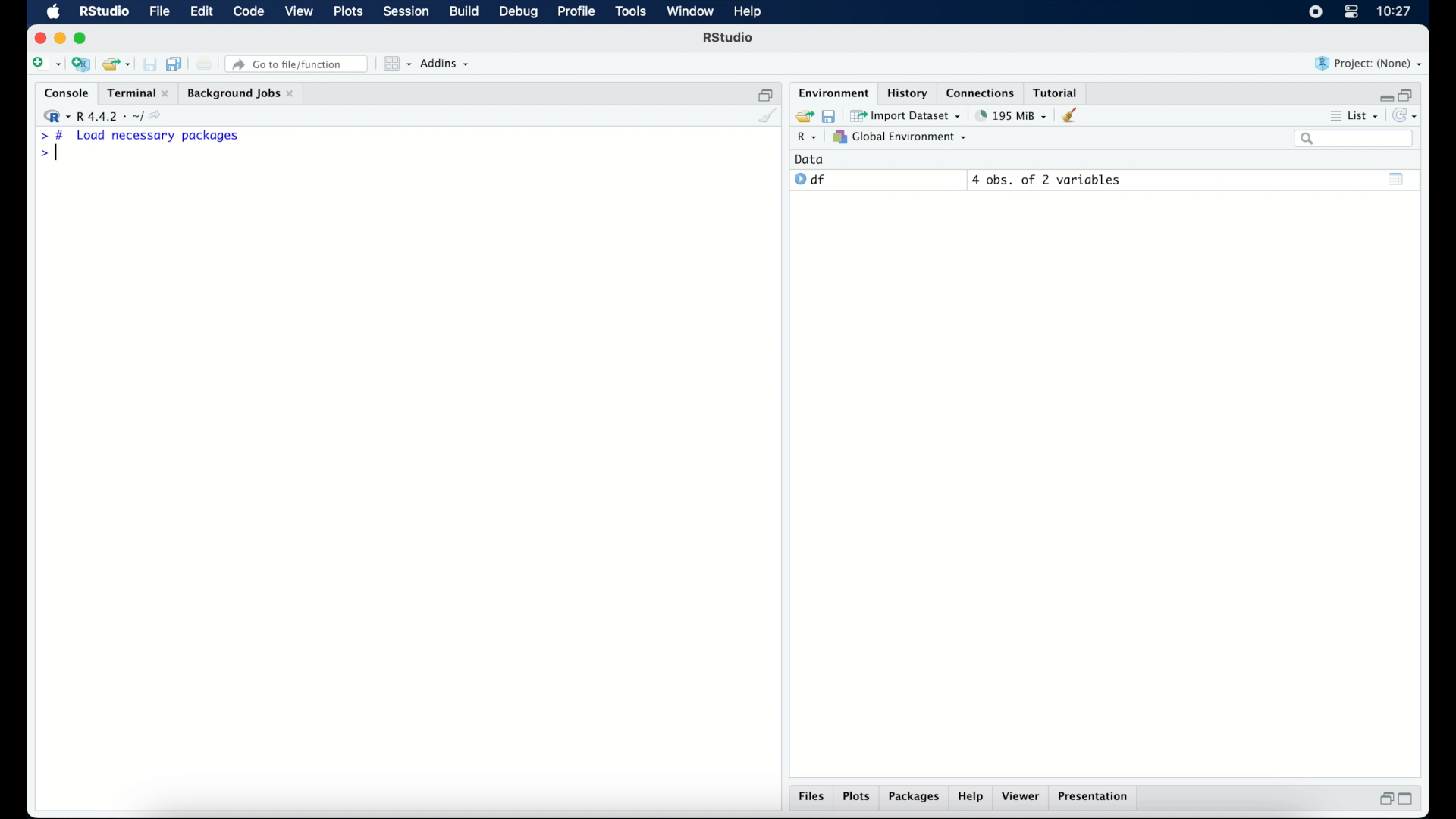  I want to click on Terminal, so click(133, 93).